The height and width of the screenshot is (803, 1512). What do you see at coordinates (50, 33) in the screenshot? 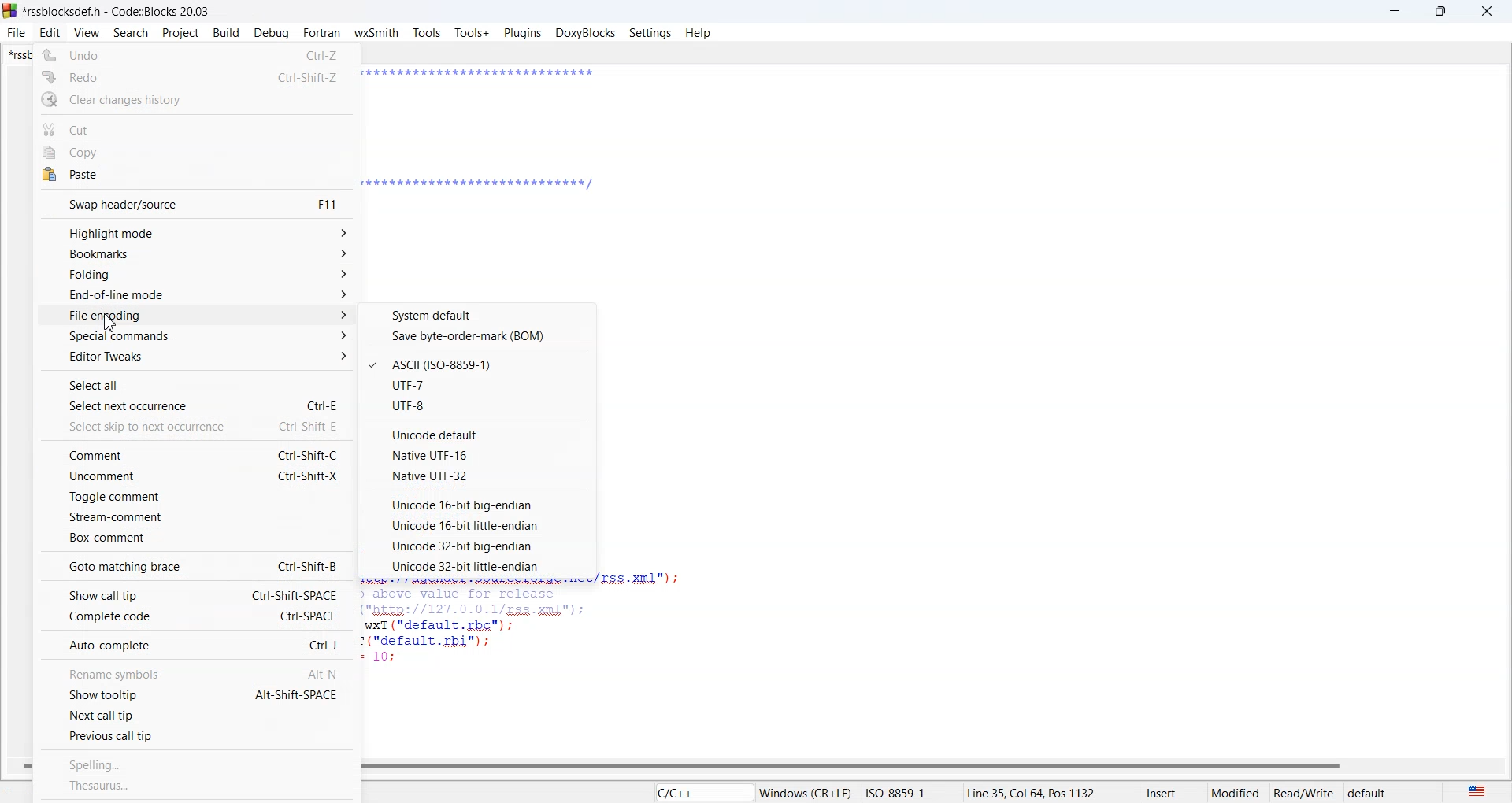
I see `Edit` at bounding box center [50, 33].